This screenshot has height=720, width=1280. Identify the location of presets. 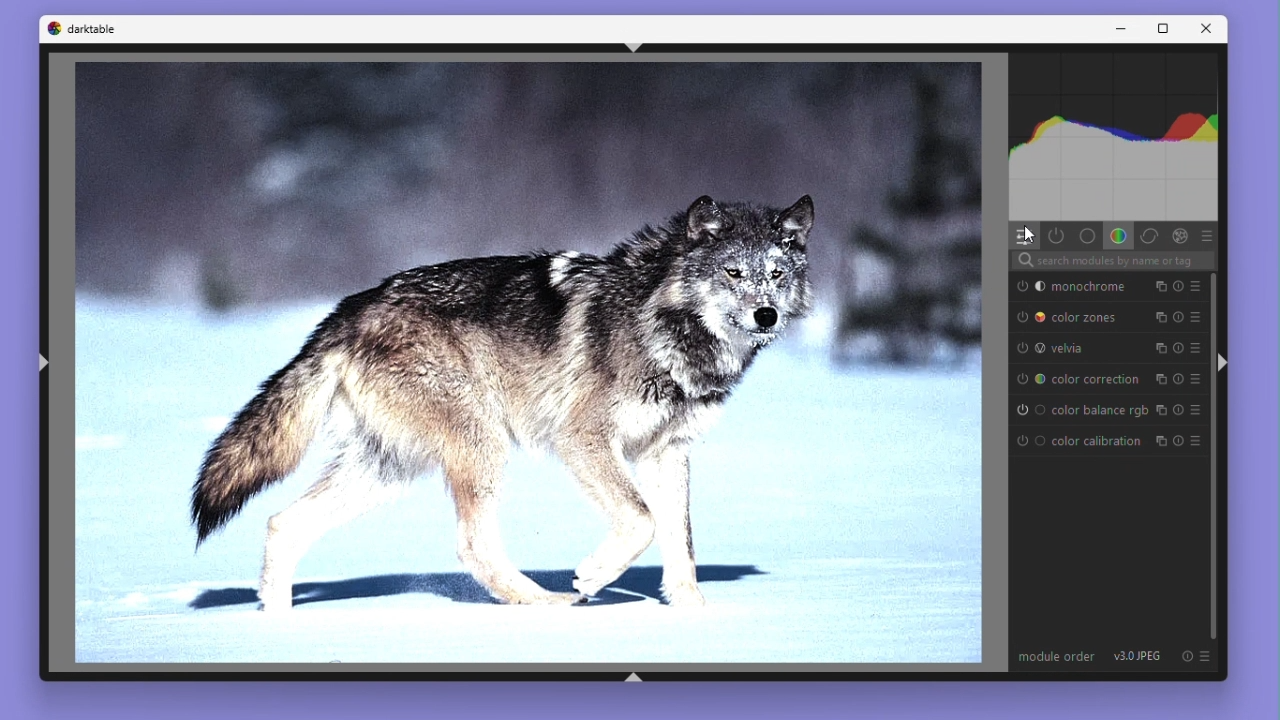
(1209, 658).